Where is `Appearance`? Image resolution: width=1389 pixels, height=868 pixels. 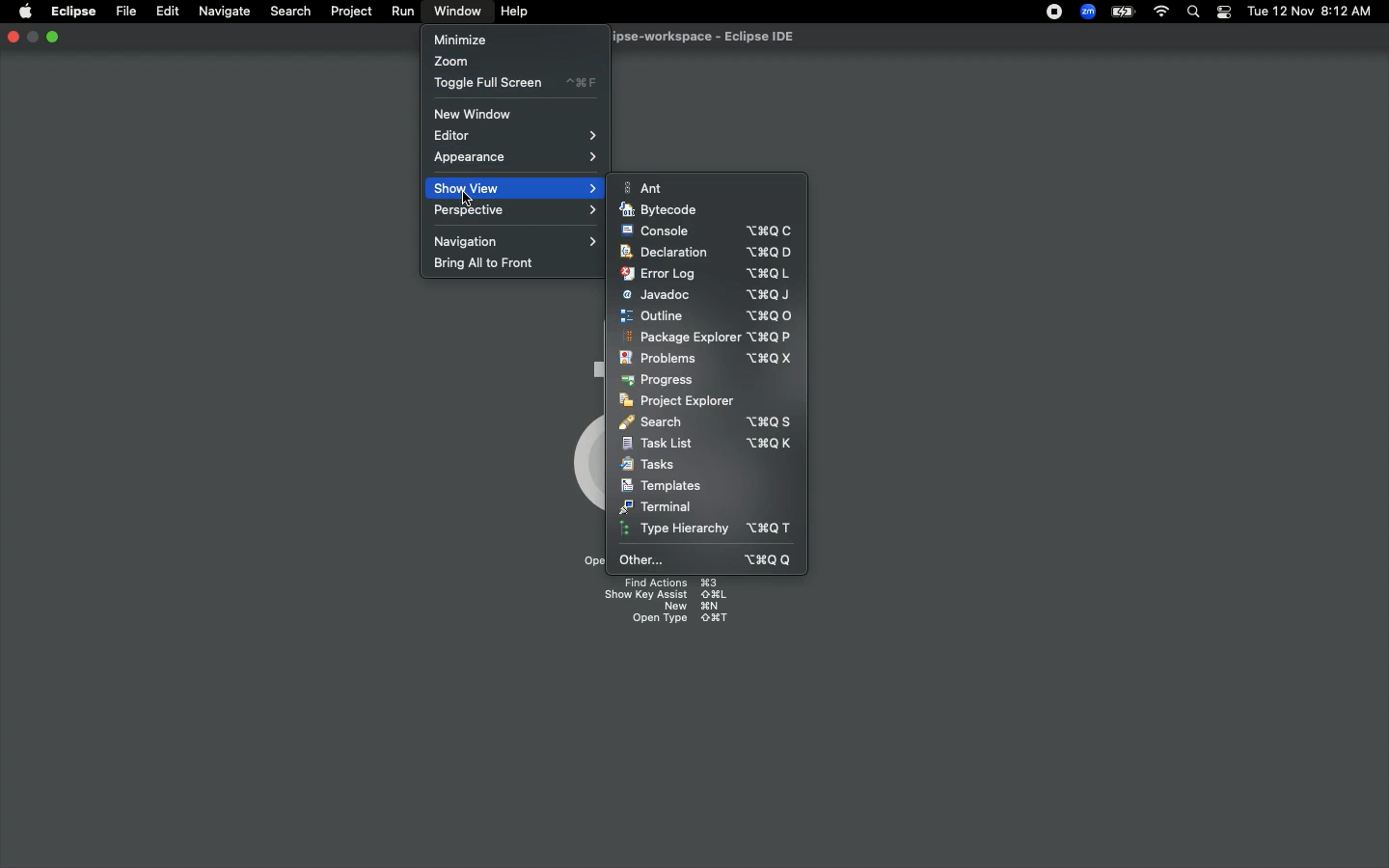 Appearance is located at coordinates (517, 160).